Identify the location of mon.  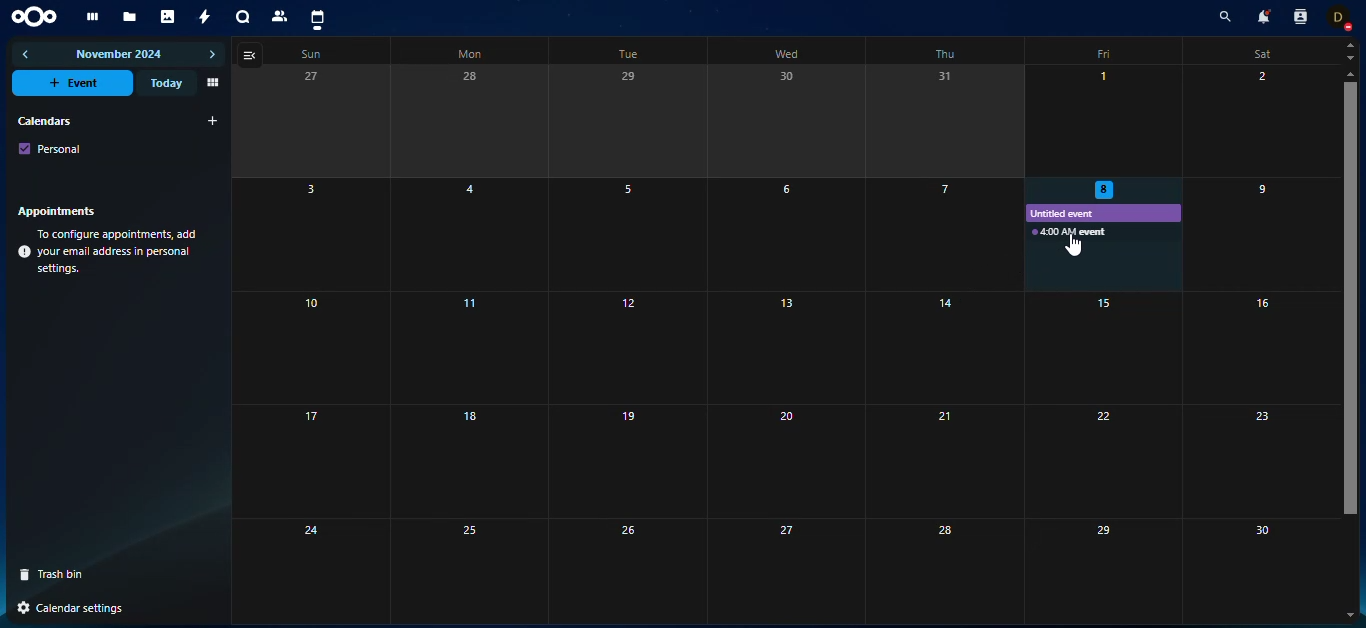
(468, 55).